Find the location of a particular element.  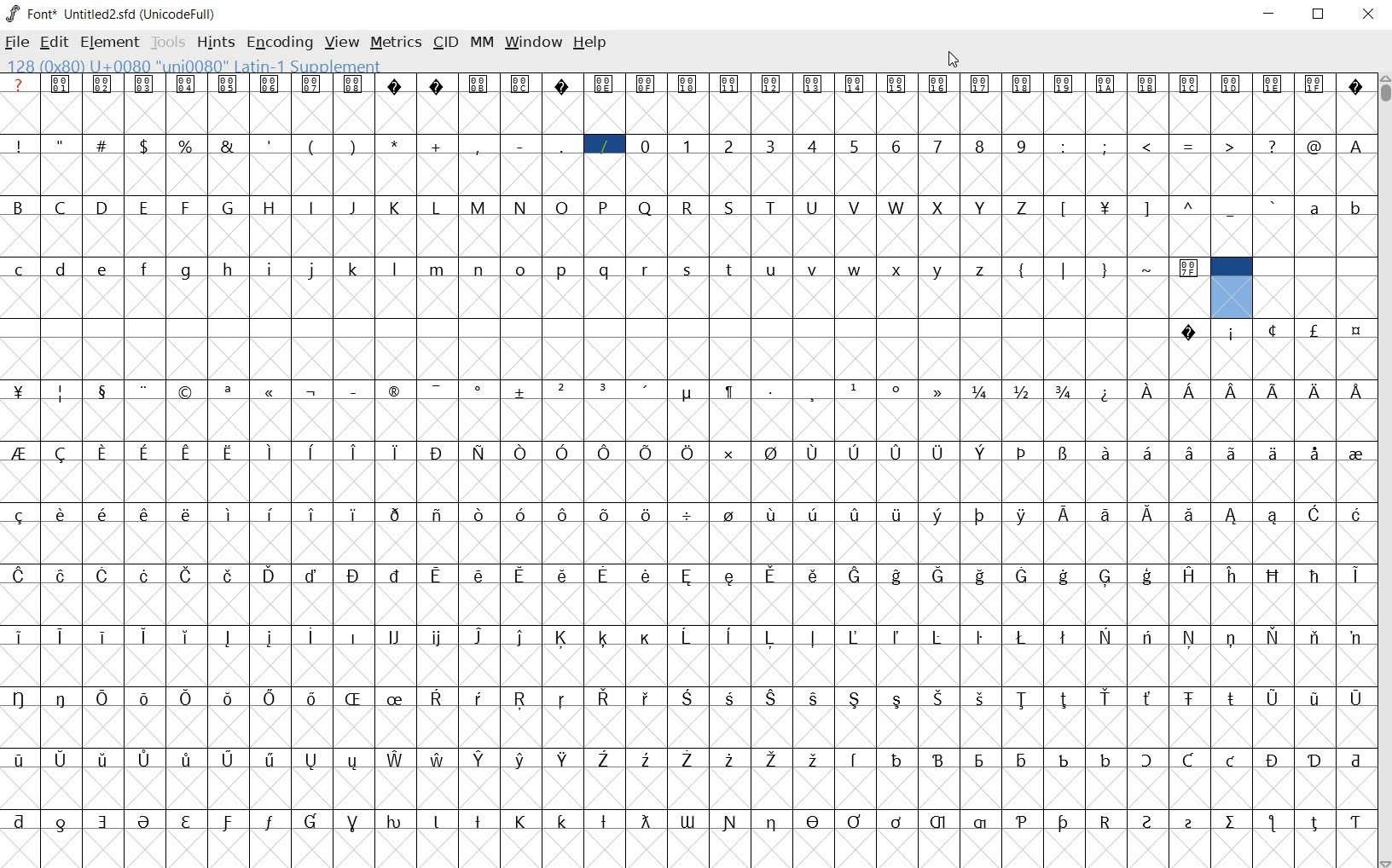

Symbol is located at coordinates (1272, 84).